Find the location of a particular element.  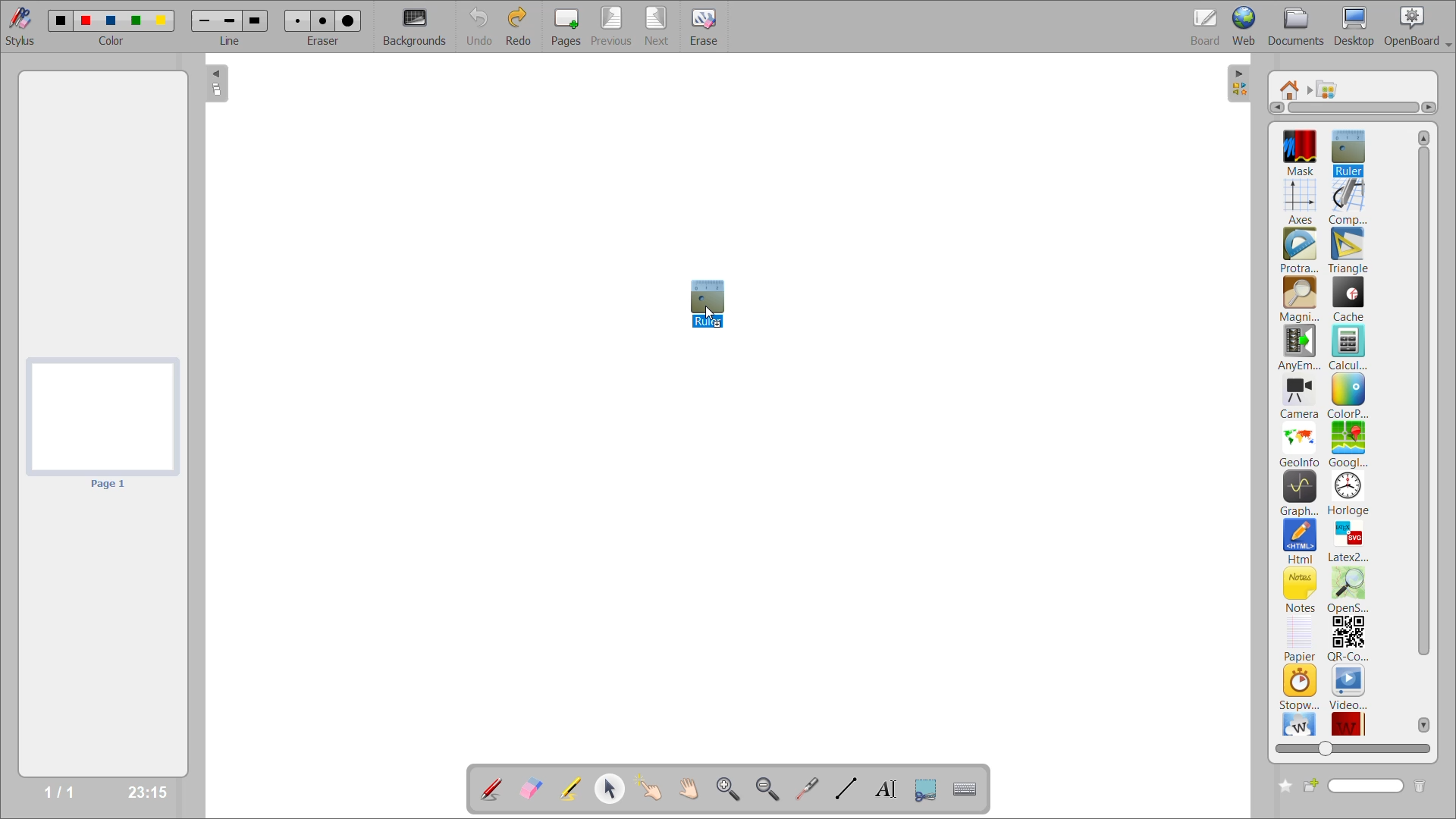

eraser 1 is located at coordinates (298, 20).